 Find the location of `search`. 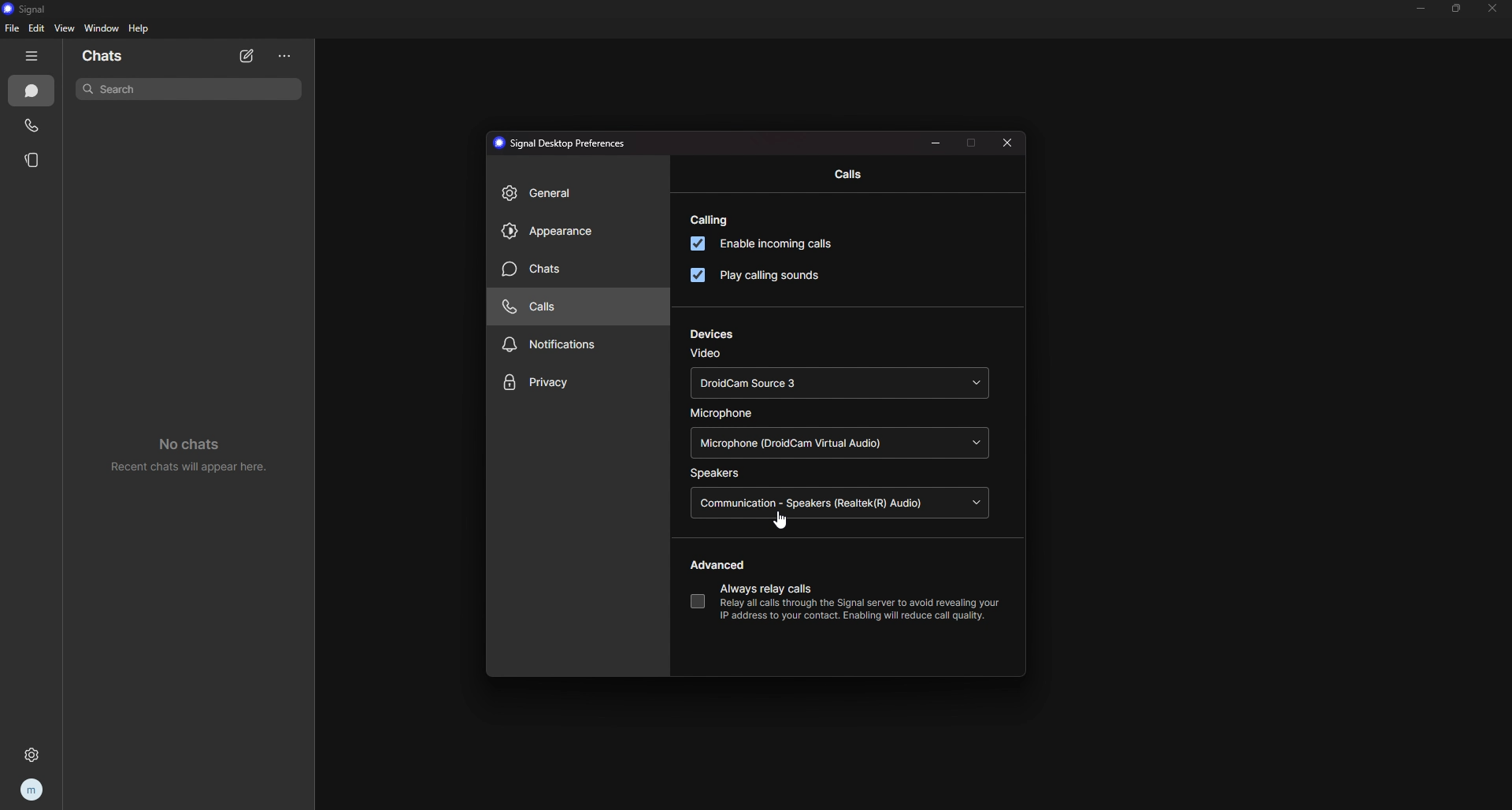

search is located at coordinates (190, 89).